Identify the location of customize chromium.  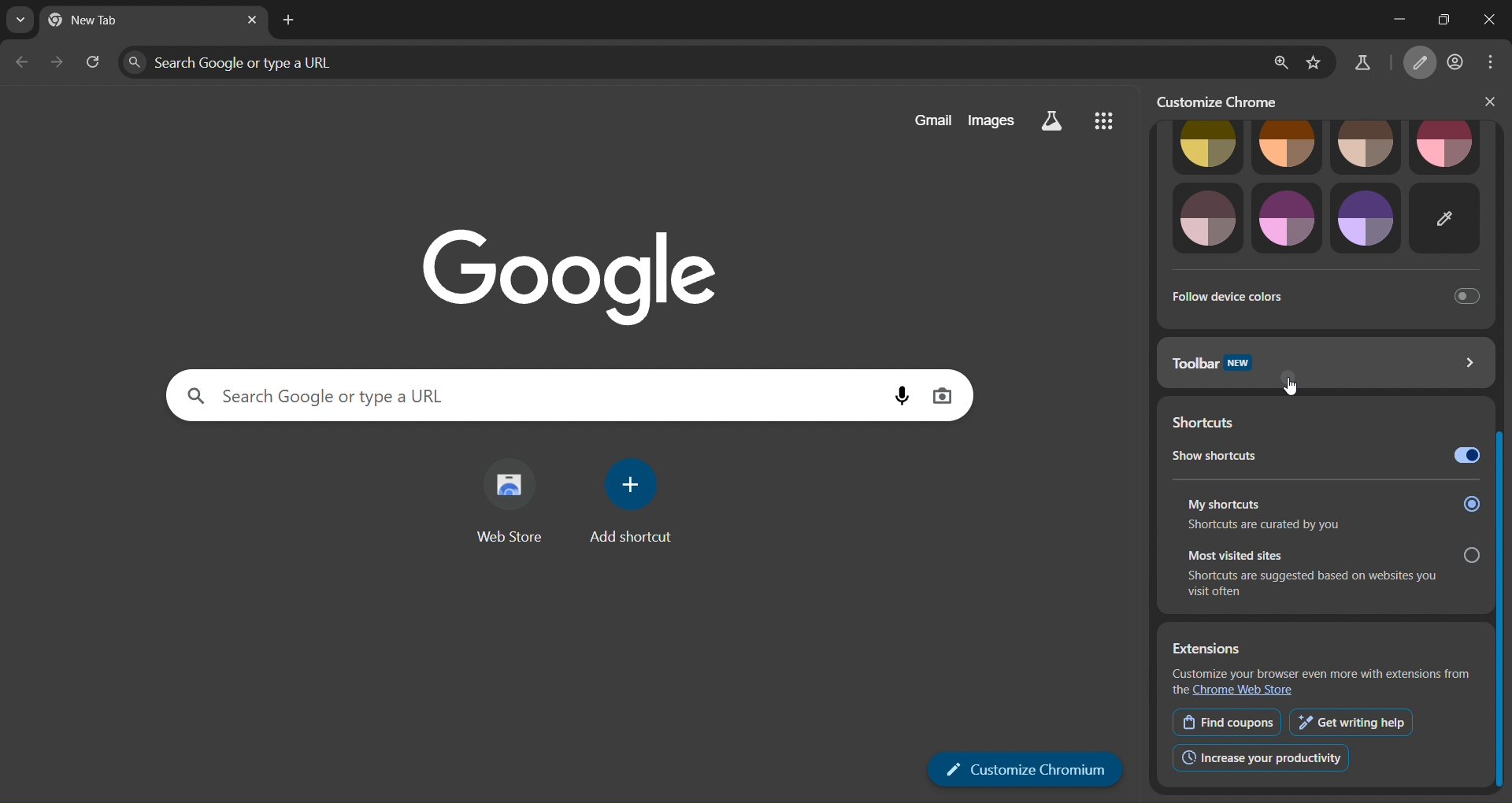
(1026, 769).